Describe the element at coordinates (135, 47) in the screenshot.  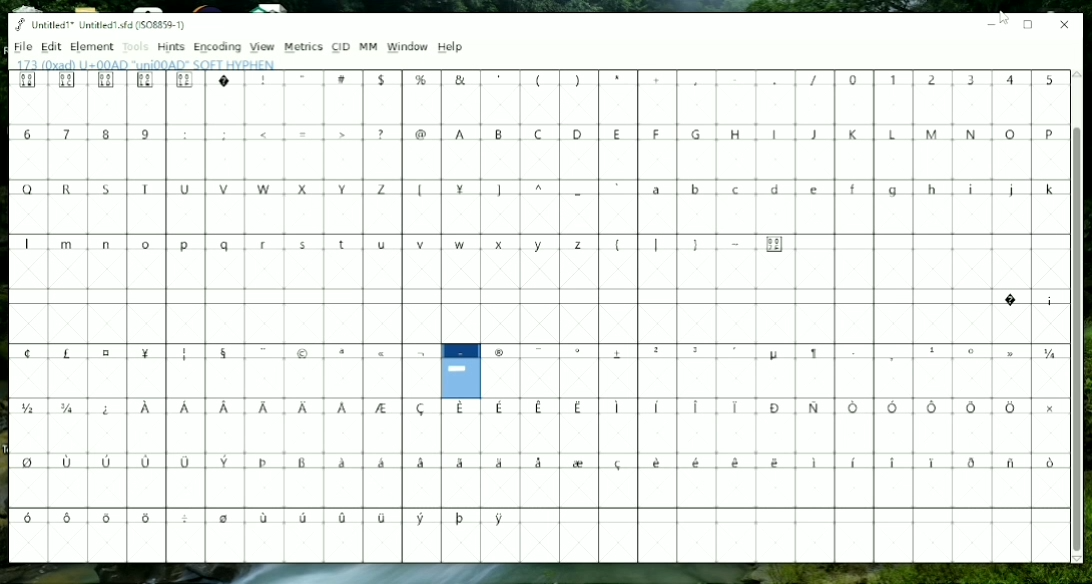
I see `Tools` at that location.